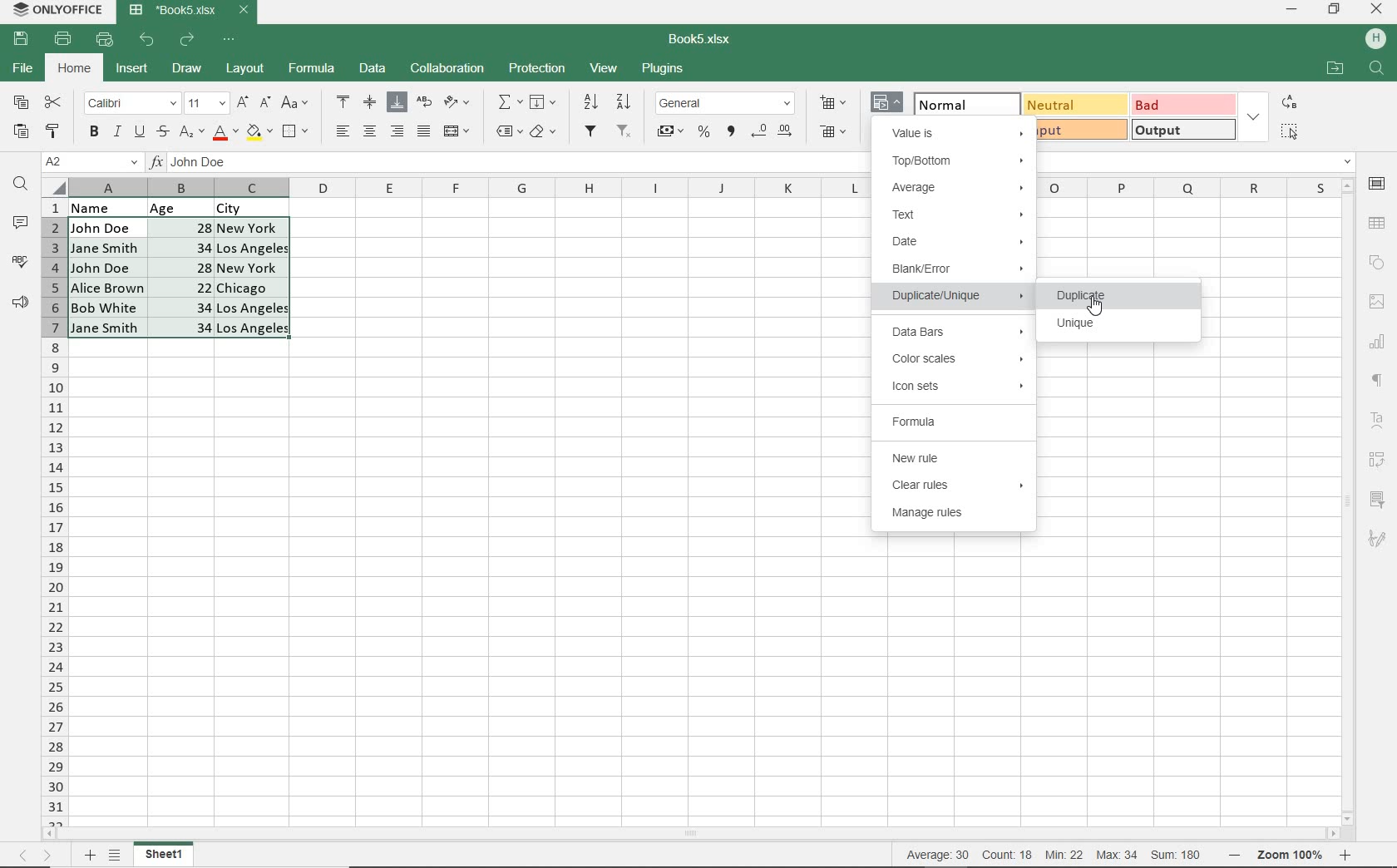 This screenshot has height=868, width=1397. I want to click on JUSTIFIED, so click(423, 131).